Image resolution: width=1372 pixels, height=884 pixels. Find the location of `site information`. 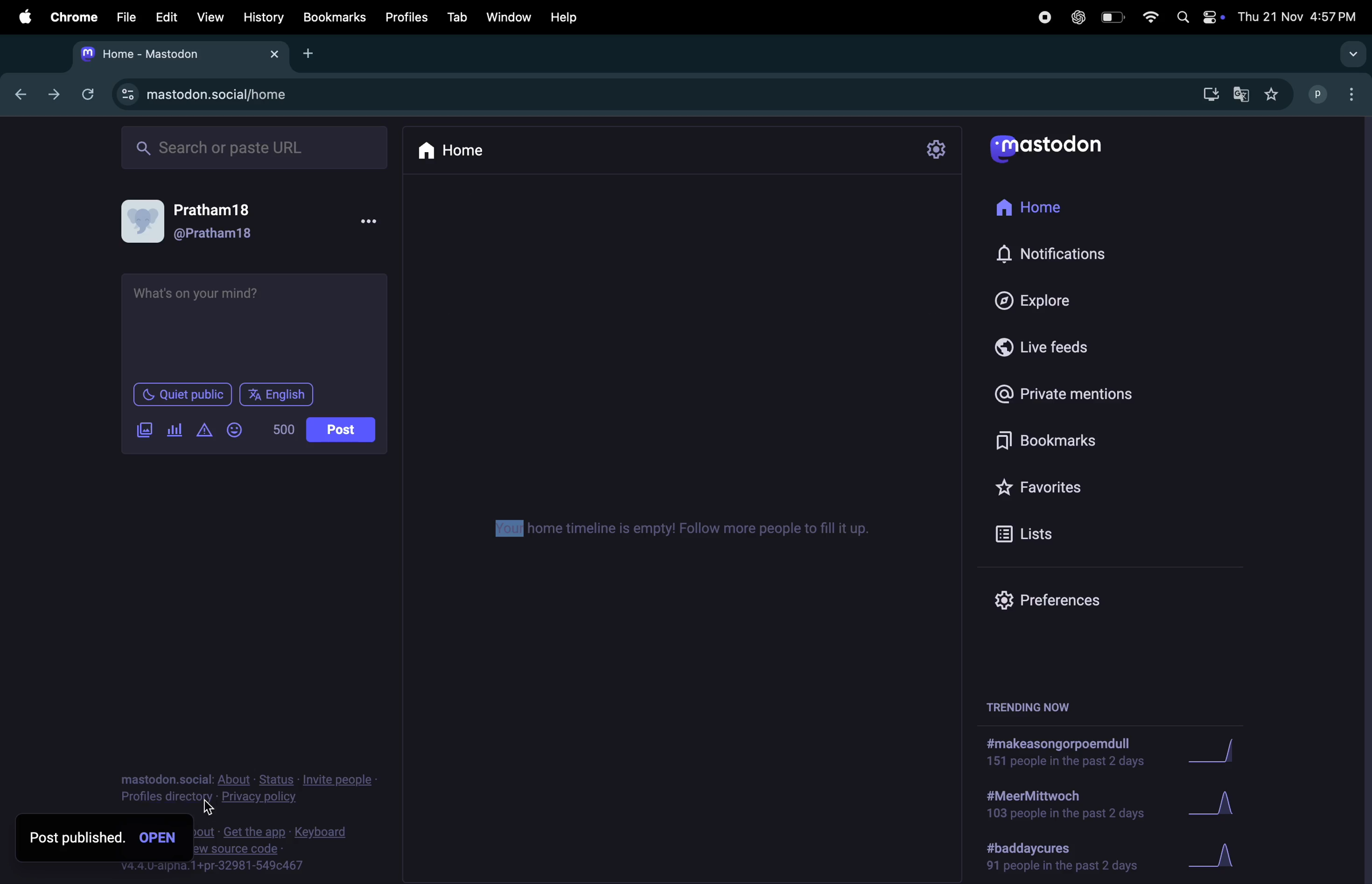

site information is located at coordinates (127, 94).